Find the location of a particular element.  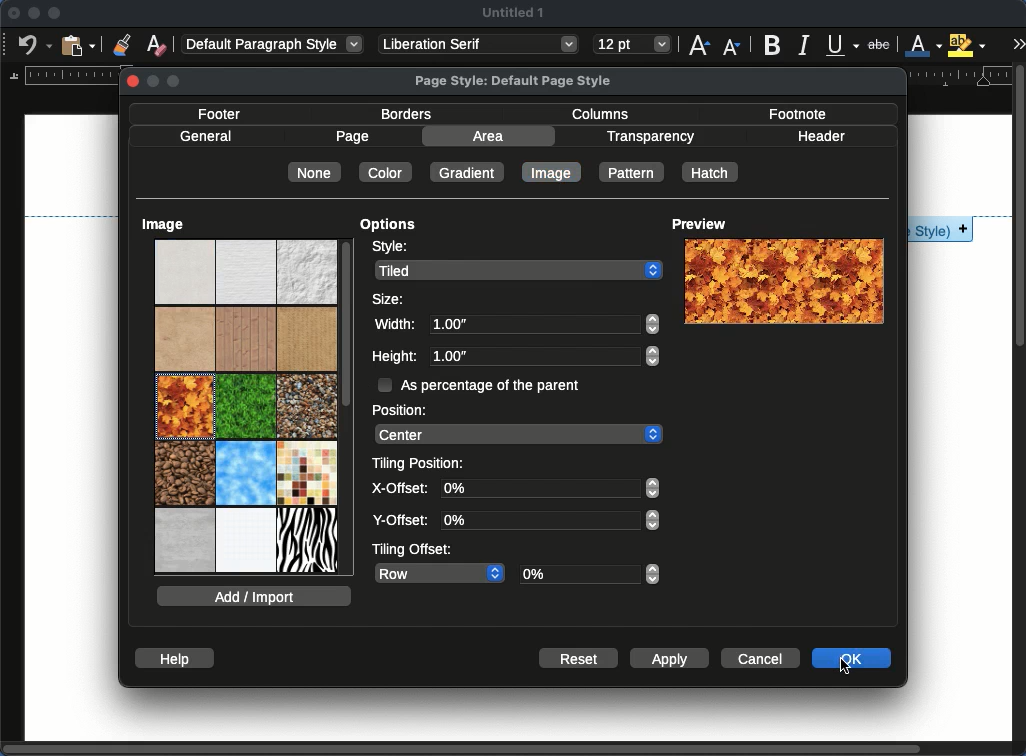

image - selected board display is located at coordinates (784, 281).